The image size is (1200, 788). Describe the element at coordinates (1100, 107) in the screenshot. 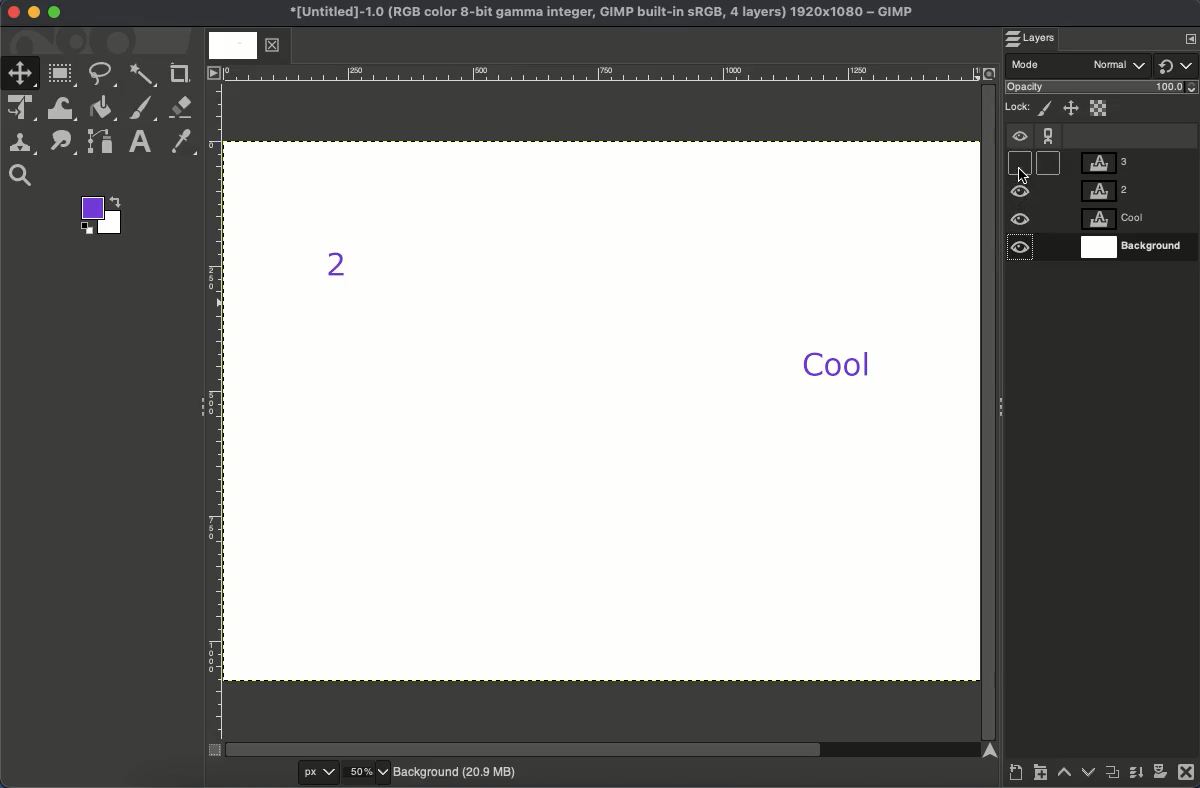

I see `Alpha` at that location.